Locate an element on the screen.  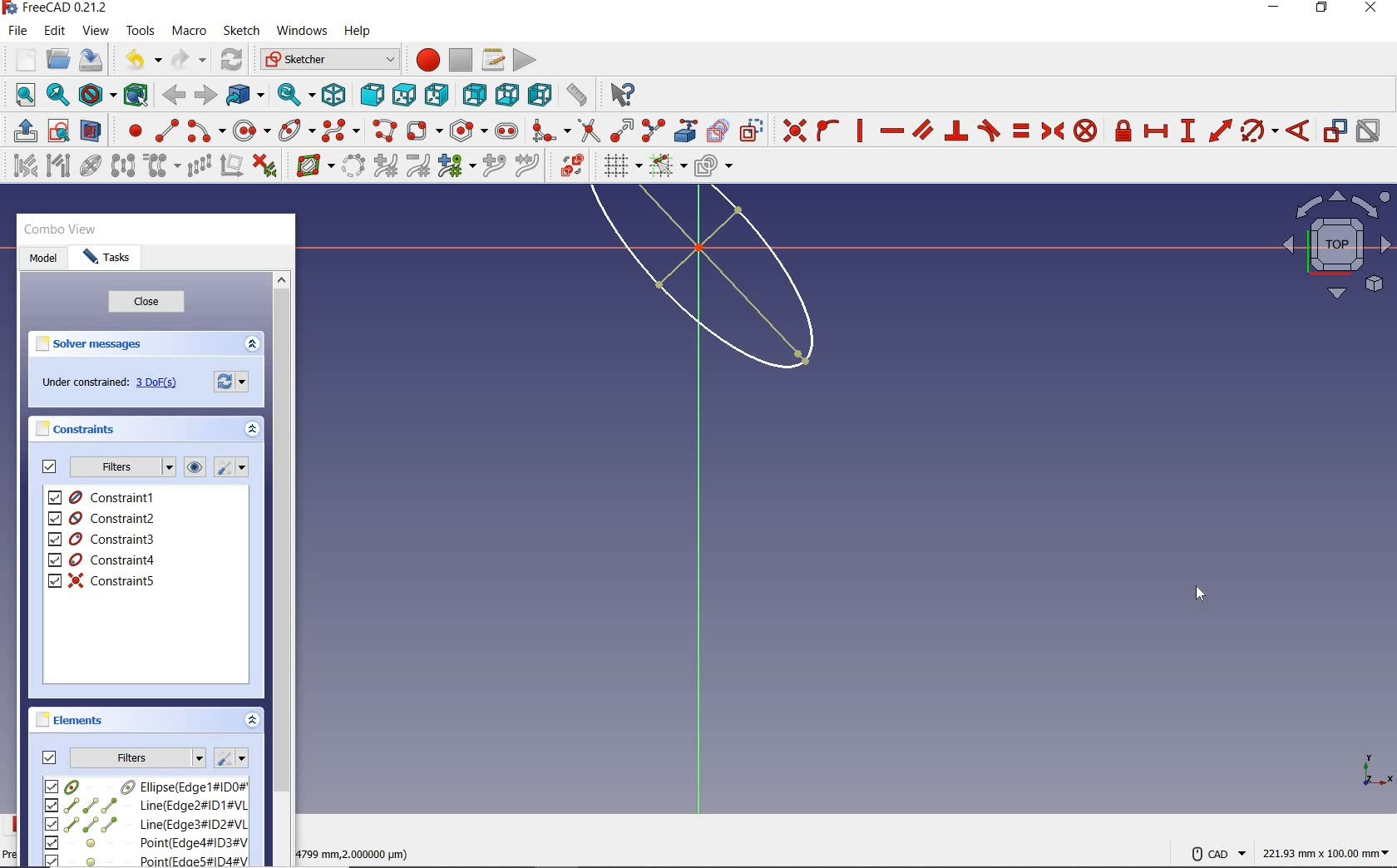
constrin lock is located at coordinates (1124, 131).